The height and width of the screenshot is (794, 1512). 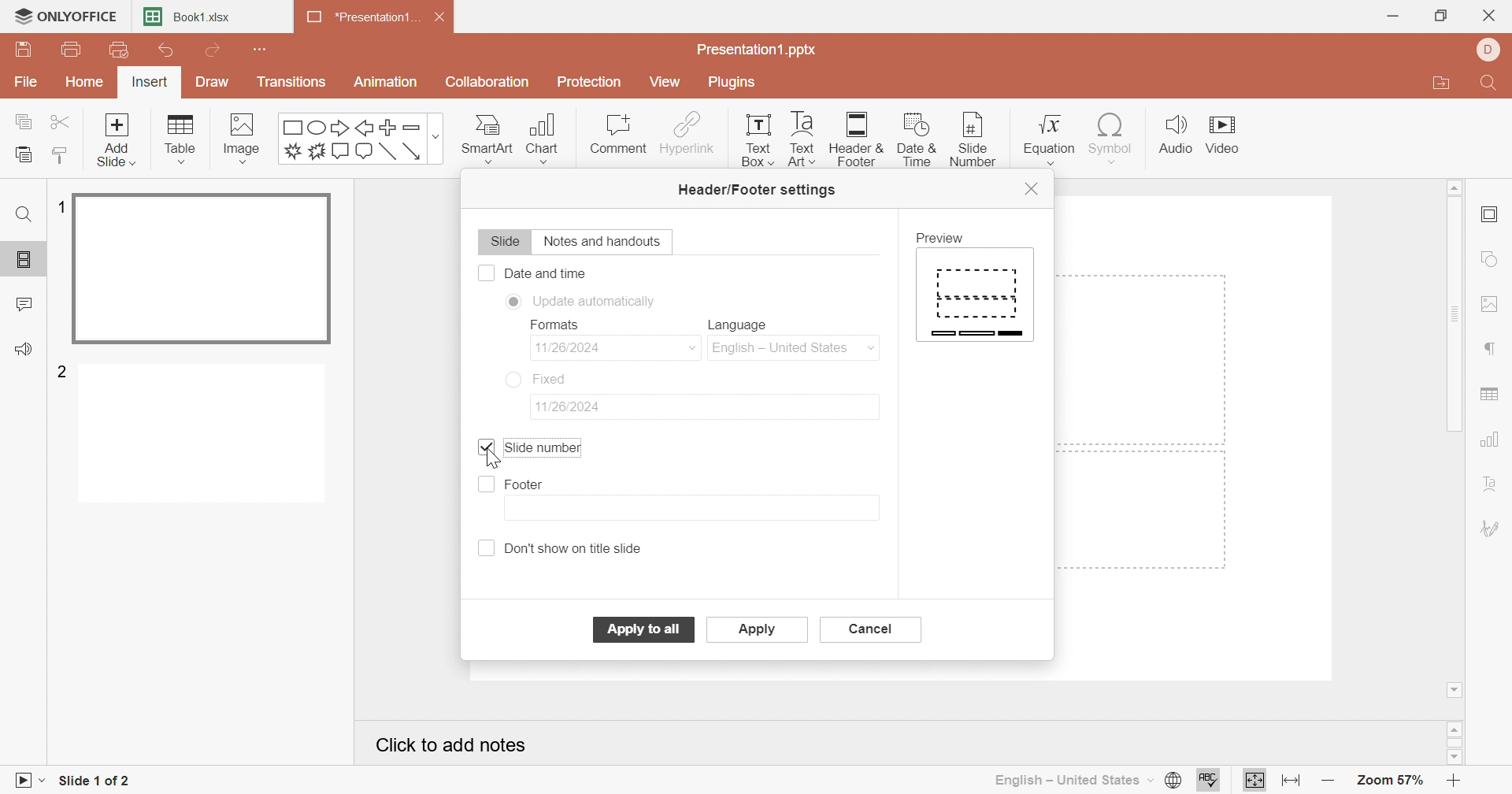 What do you see at coordinates (72, 51) in the screenshot?
I see `Print` at bounding box center [72, 51].